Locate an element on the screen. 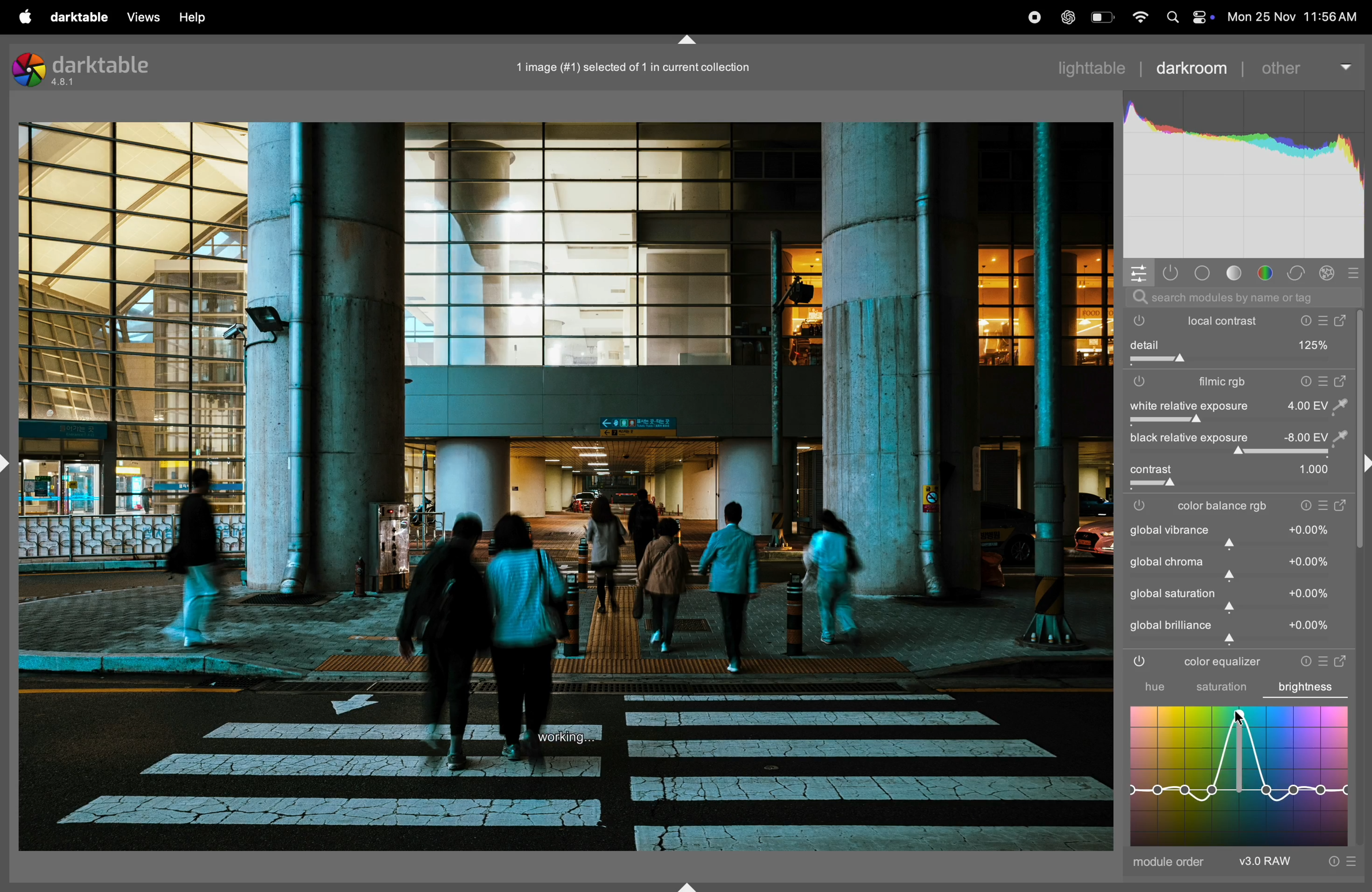  chatgpt is located at coordinates (1071, 17).